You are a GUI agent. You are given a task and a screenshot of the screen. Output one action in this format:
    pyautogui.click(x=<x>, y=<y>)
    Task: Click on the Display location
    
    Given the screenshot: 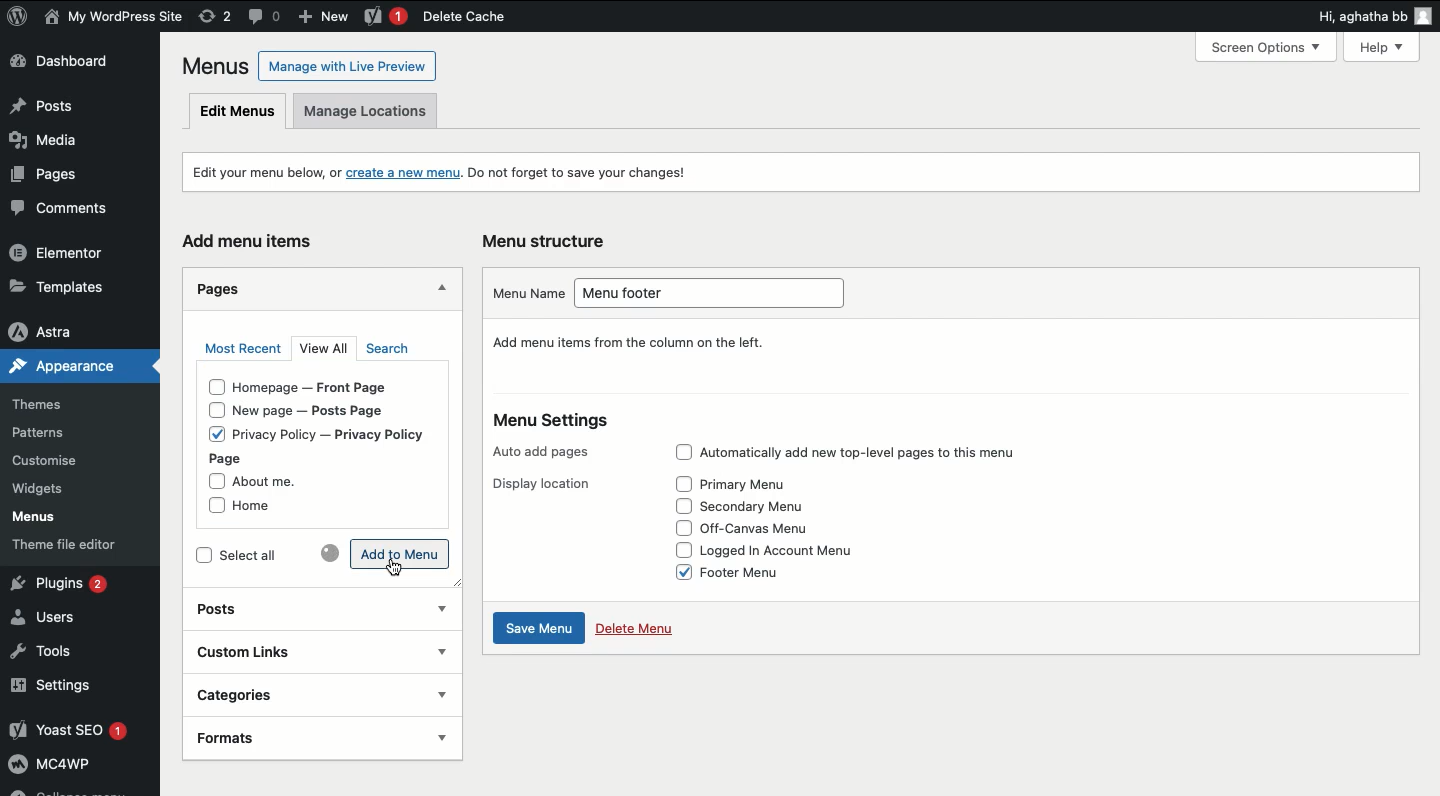 What is the action you would take?
    pyautogui.click(x=537, y=485)
    